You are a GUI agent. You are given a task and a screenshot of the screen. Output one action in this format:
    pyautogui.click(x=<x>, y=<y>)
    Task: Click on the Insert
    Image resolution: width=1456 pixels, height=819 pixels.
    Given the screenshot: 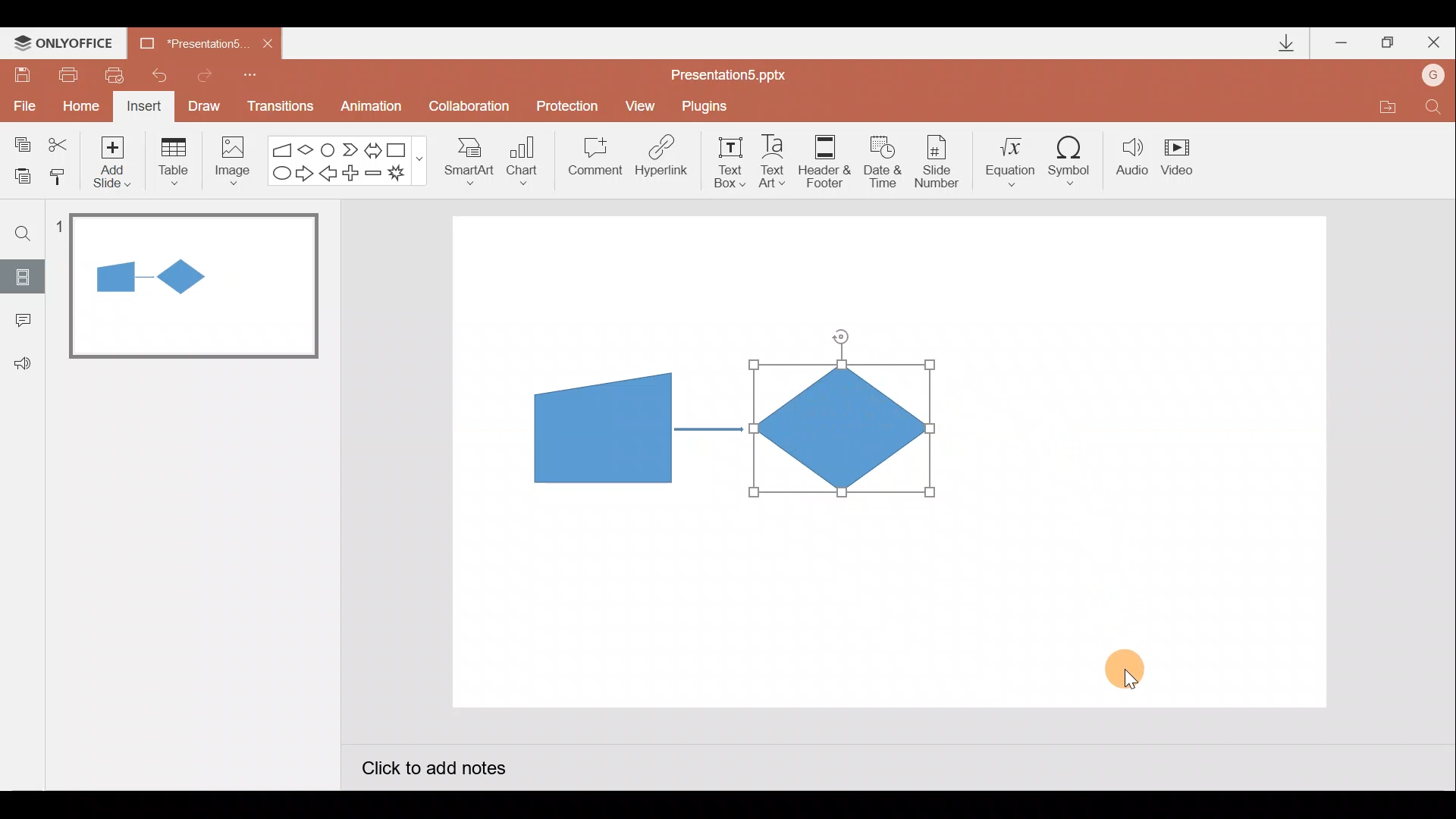 What is the action you would take?
    pyautogui.click(x=142, y=108)
    